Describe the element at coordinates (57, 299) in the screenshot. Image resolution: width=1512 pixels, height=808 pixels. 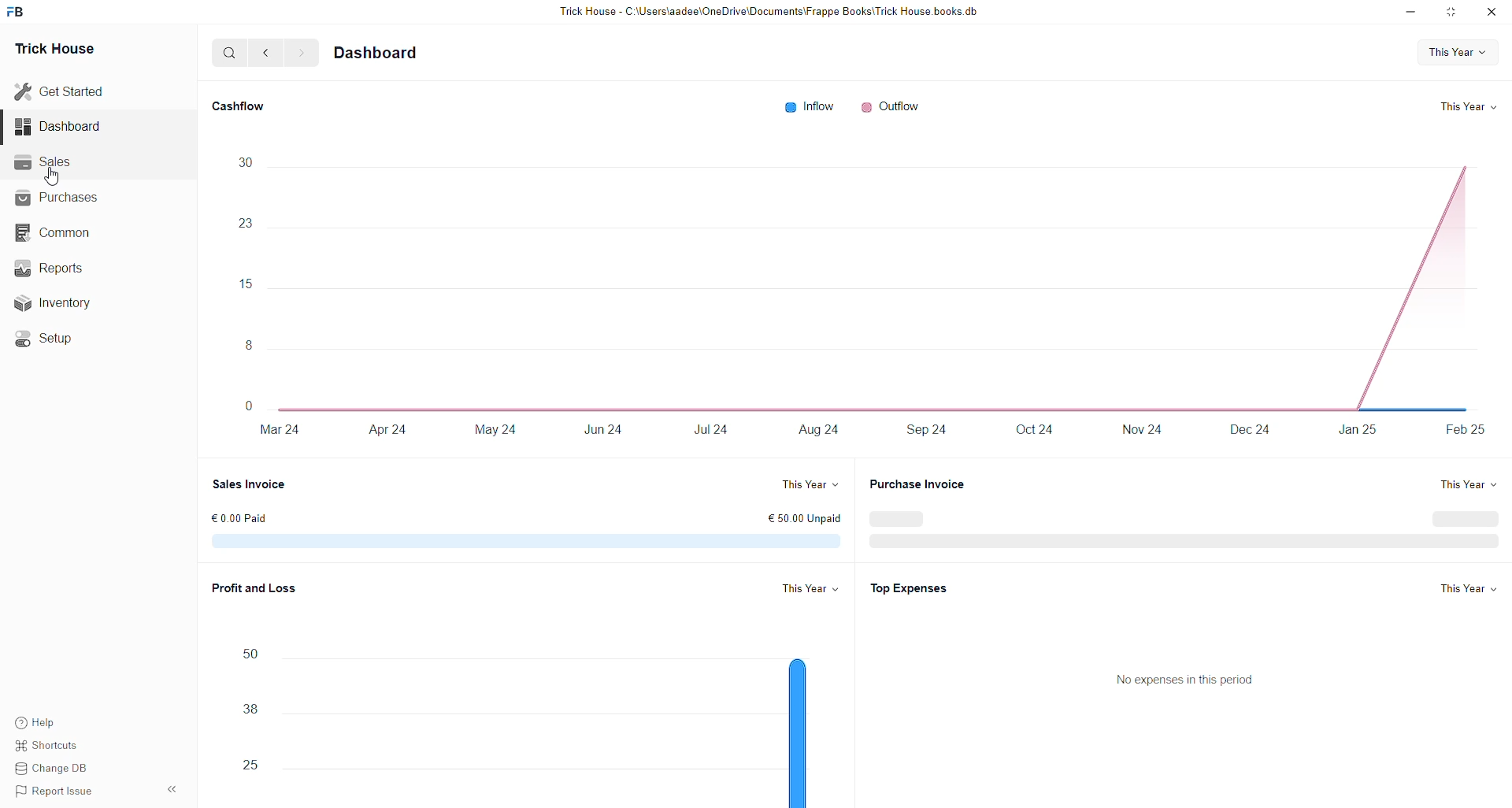
I see `Inventory` at that location.